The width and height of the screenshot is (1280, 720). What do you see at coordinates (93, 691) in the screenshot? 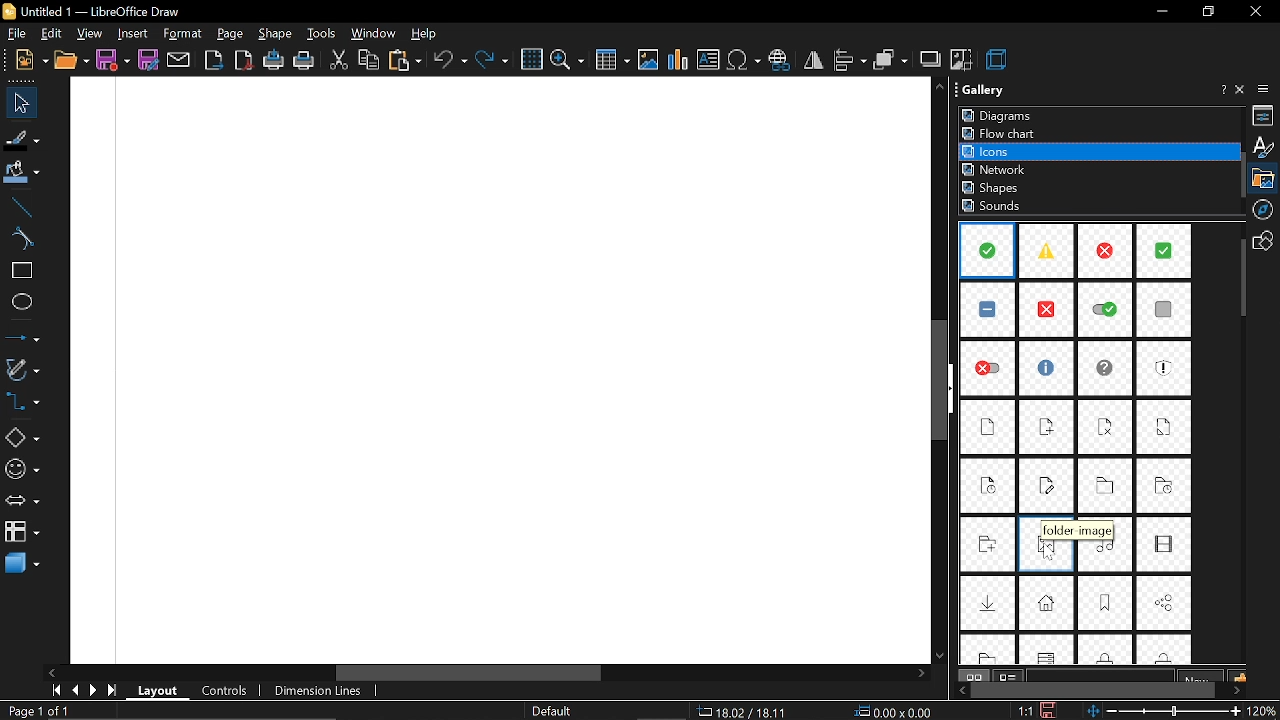
I see `next page` at bounding box center [93, 691].